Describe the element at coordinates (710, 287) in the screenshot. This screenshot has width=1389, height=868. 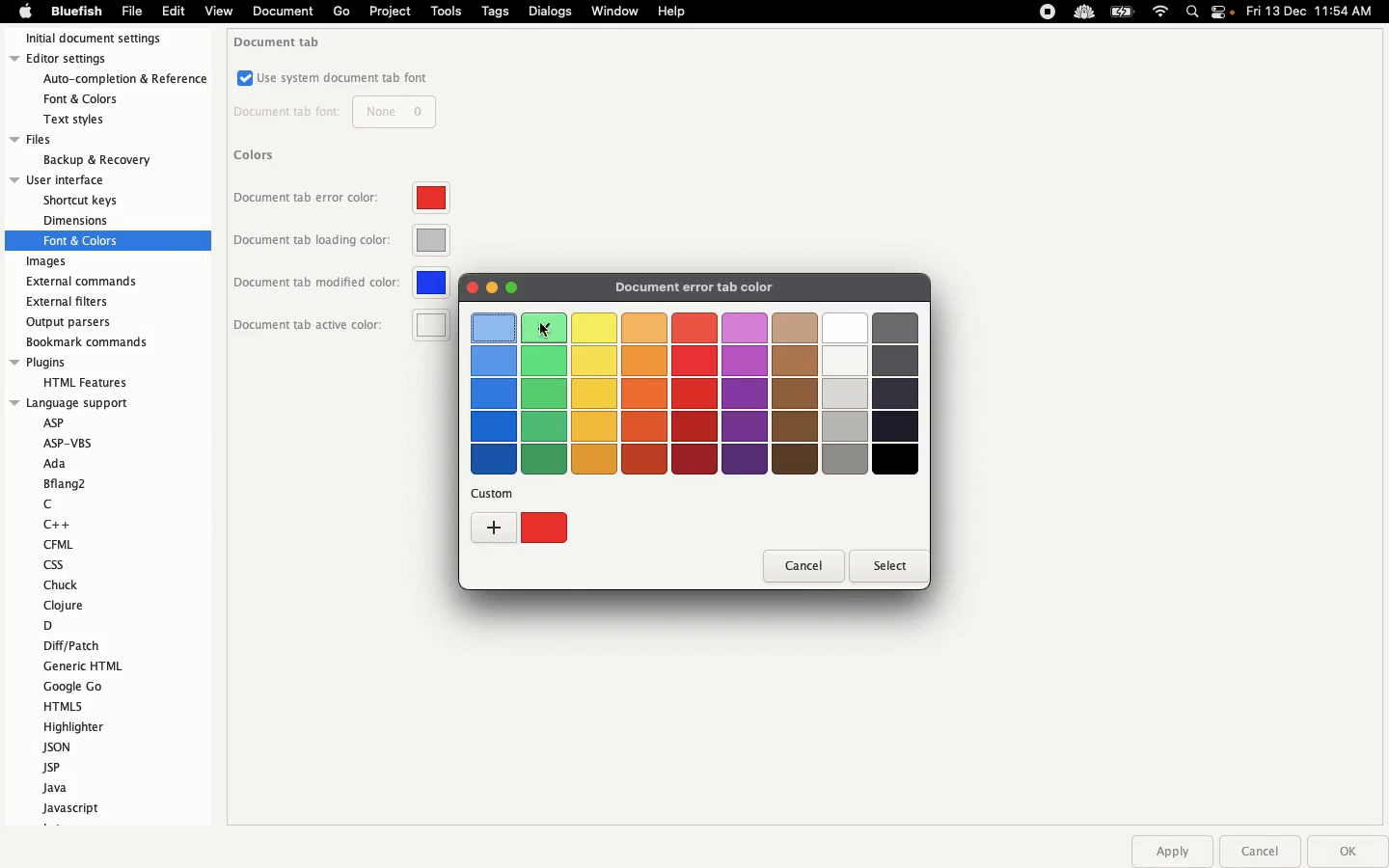
I see `Document error ta color` at that location.